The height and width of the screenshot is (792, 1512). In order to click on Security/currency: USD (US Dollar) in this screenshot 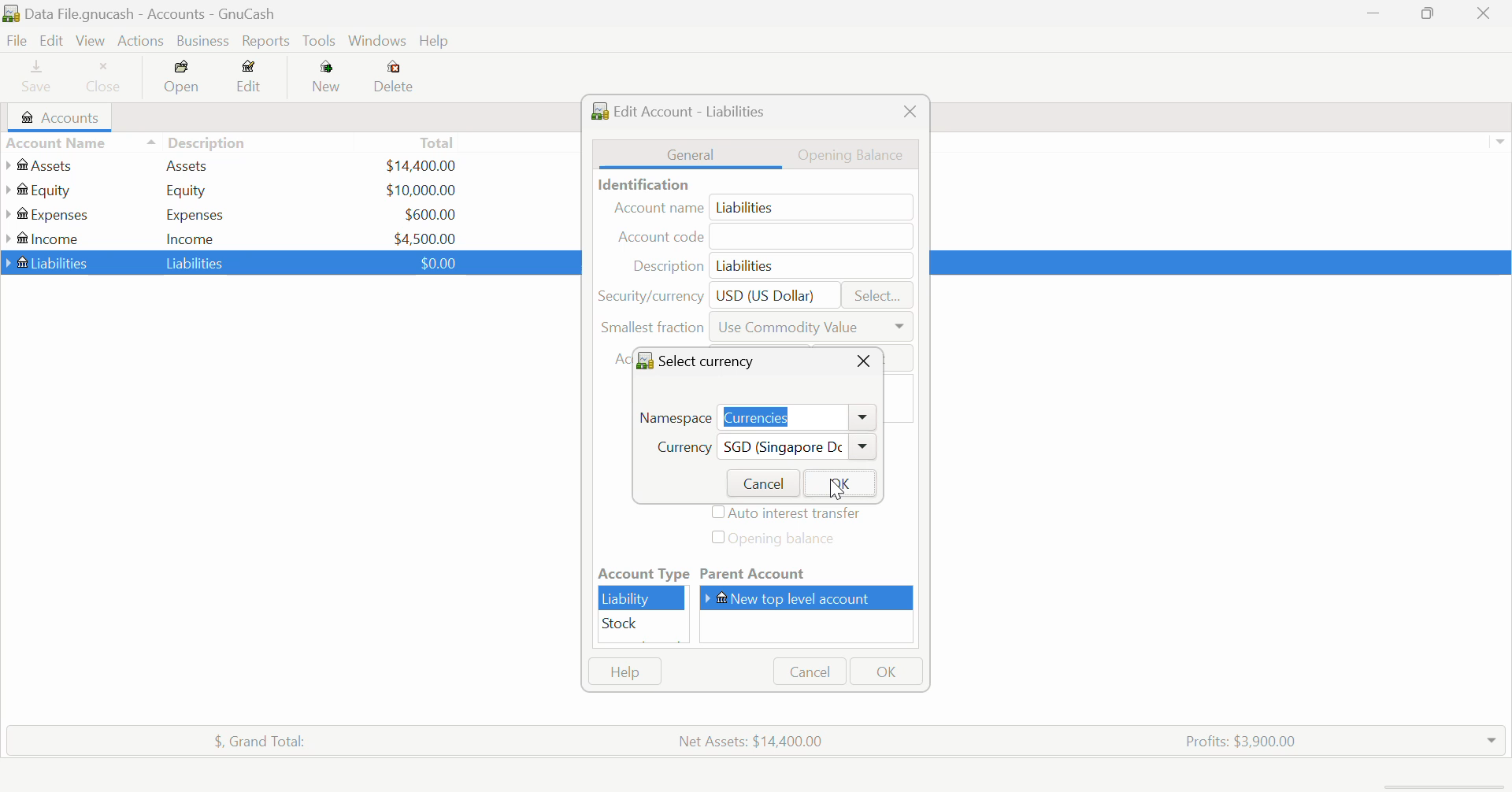, I will do `click(712, 294)`.